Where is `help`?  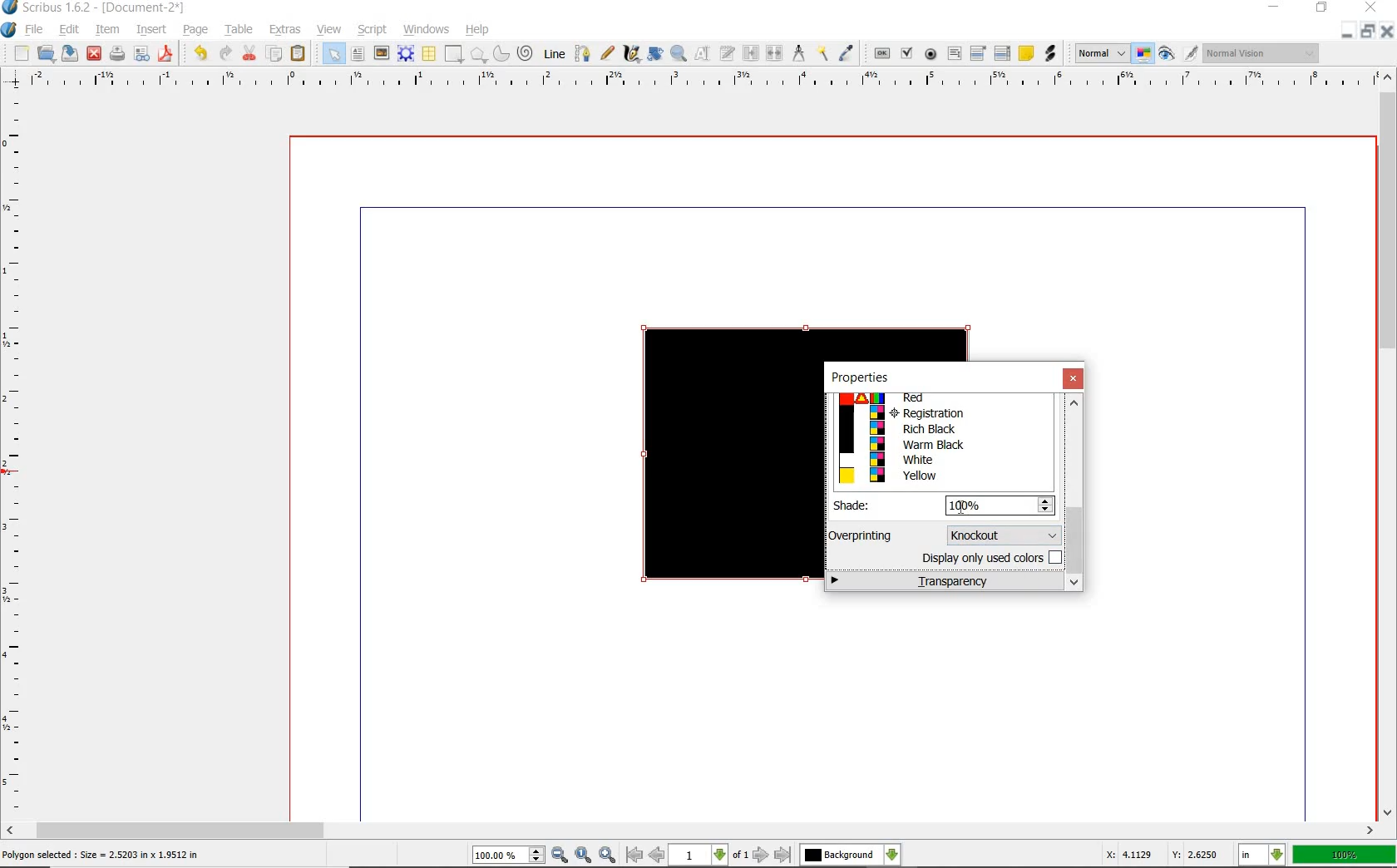
help is located at coordinates (479, 31).